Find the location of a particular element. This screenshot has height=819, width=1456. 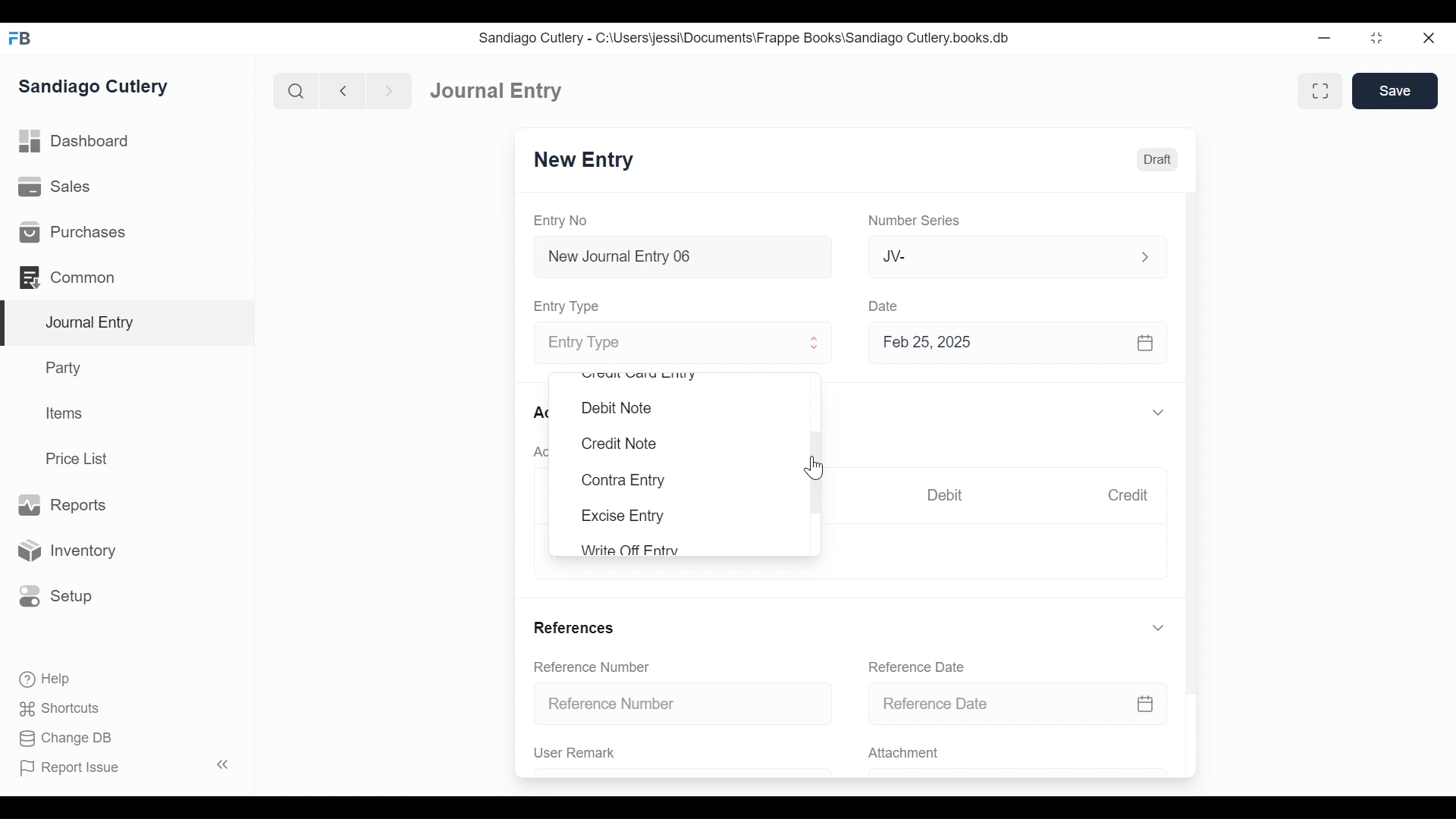

Credit Note is located at coordinates (617, 444).